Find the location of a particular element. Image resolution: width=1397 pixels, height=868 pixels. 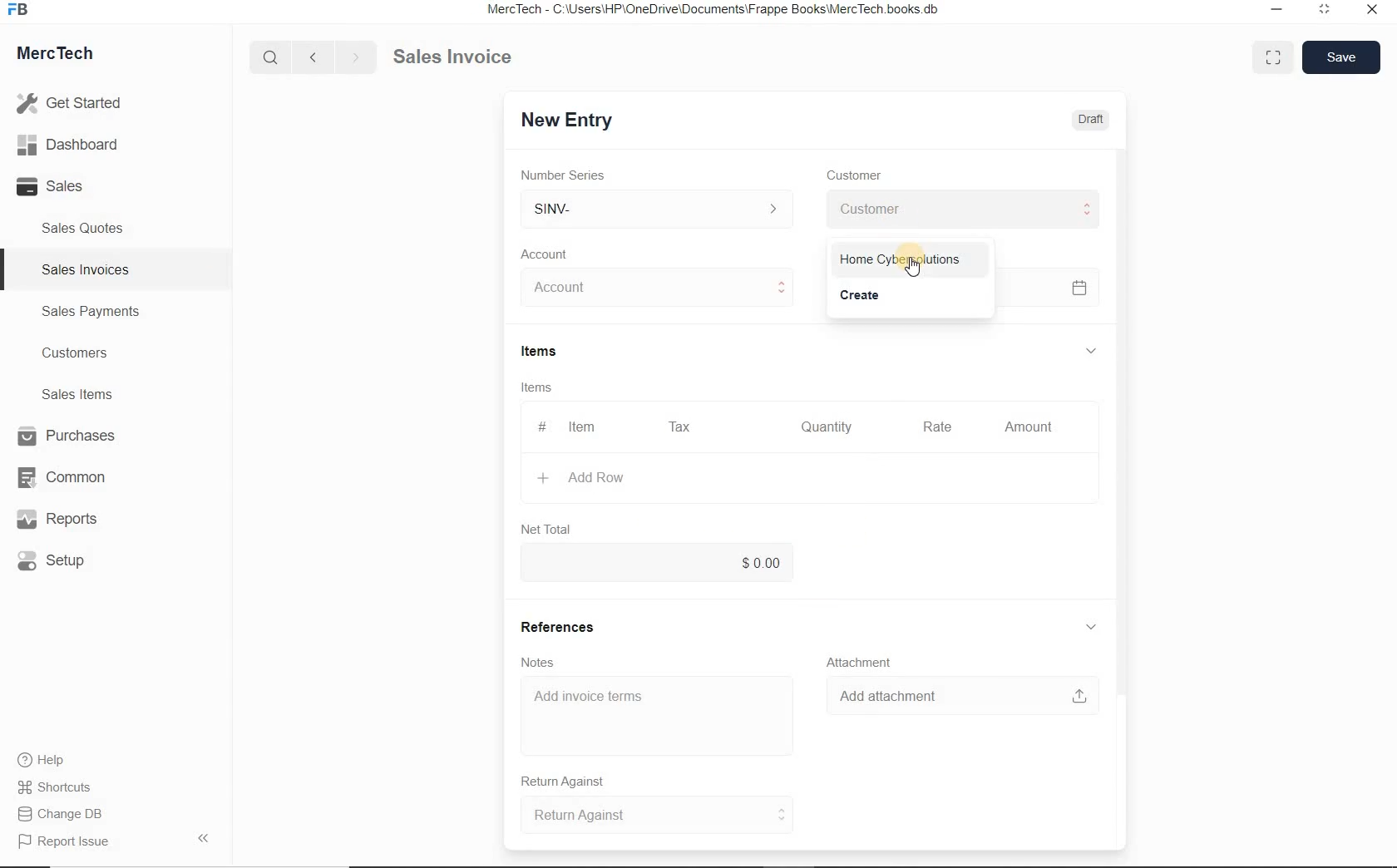

Sales Invoices is located at coordinates (86, 269).